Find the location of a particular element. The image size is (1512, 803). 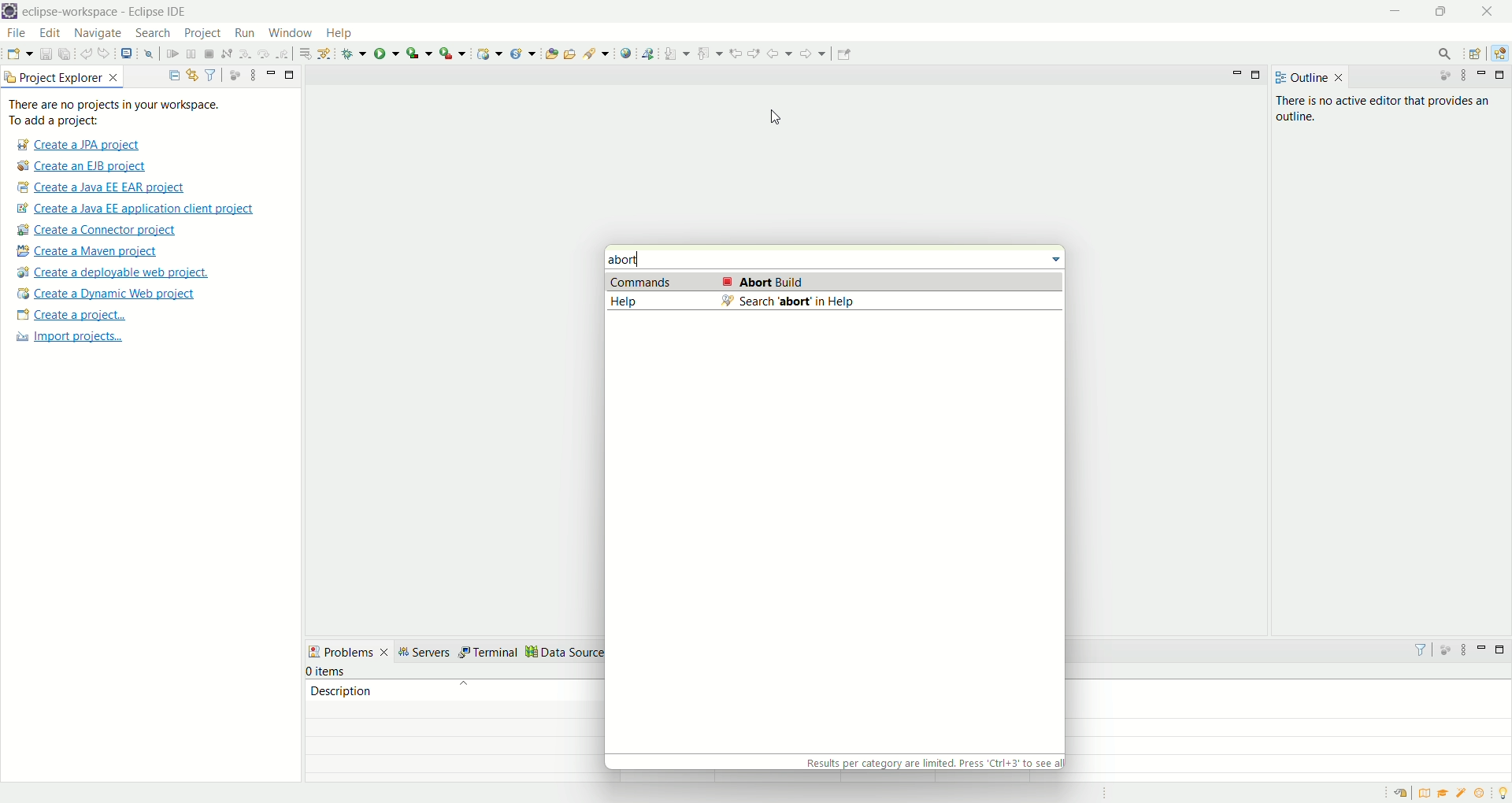

minimize is located at coordinates (1483, 76).